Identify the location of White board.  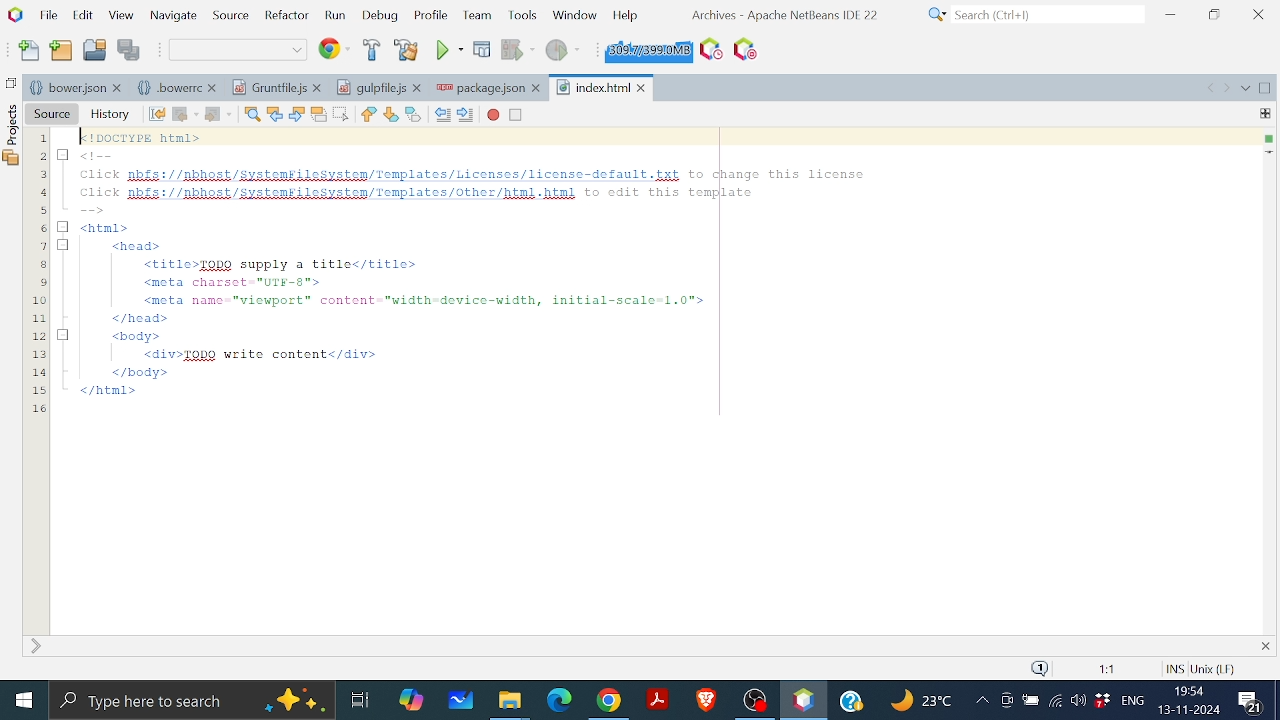
(463, 699).